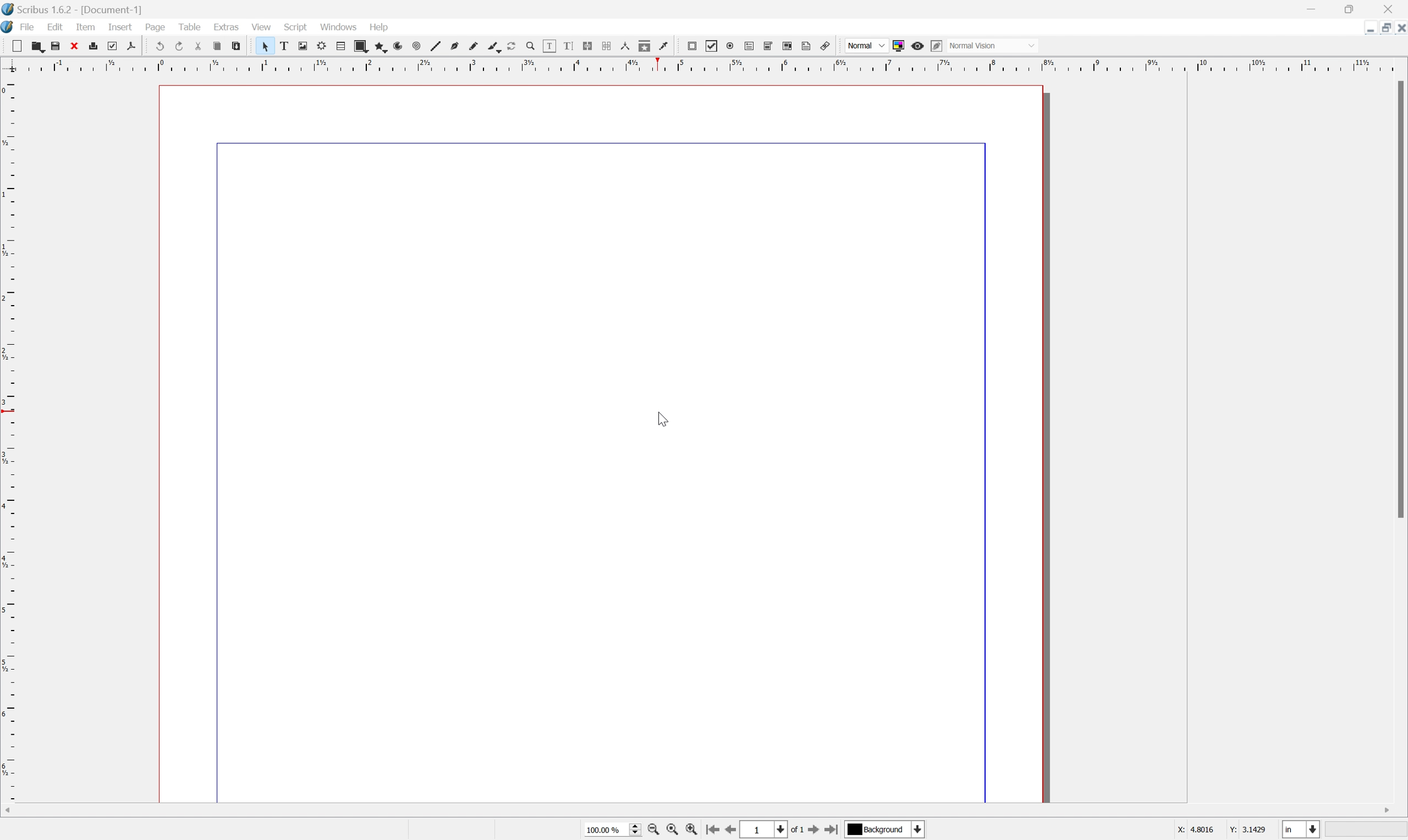  Describe the element at coordinates (131, 47) in the screenshot. I see `export directly as PDF` at that location.